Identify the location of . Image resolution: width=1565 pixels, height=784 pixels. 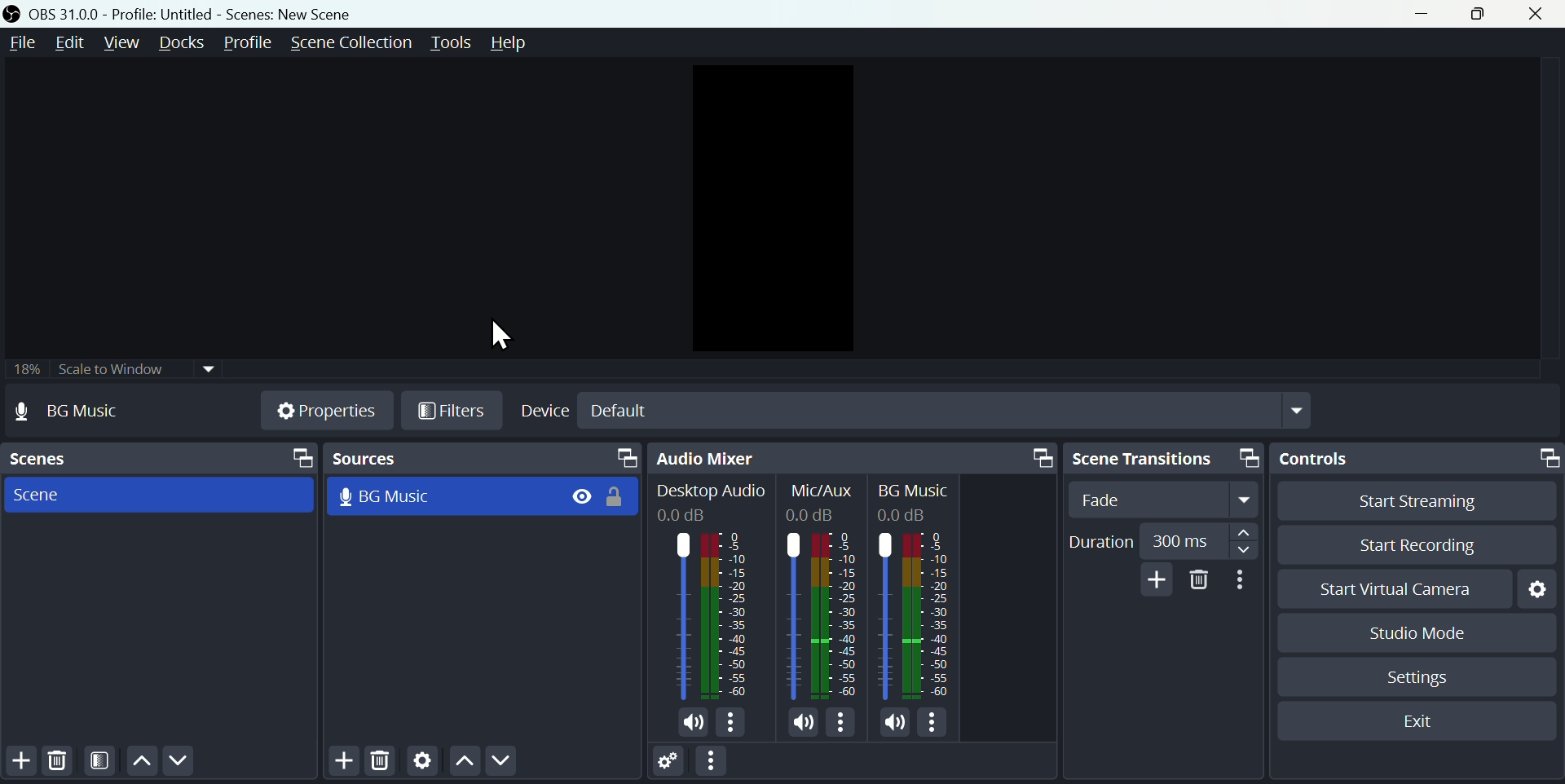
(821, 491).